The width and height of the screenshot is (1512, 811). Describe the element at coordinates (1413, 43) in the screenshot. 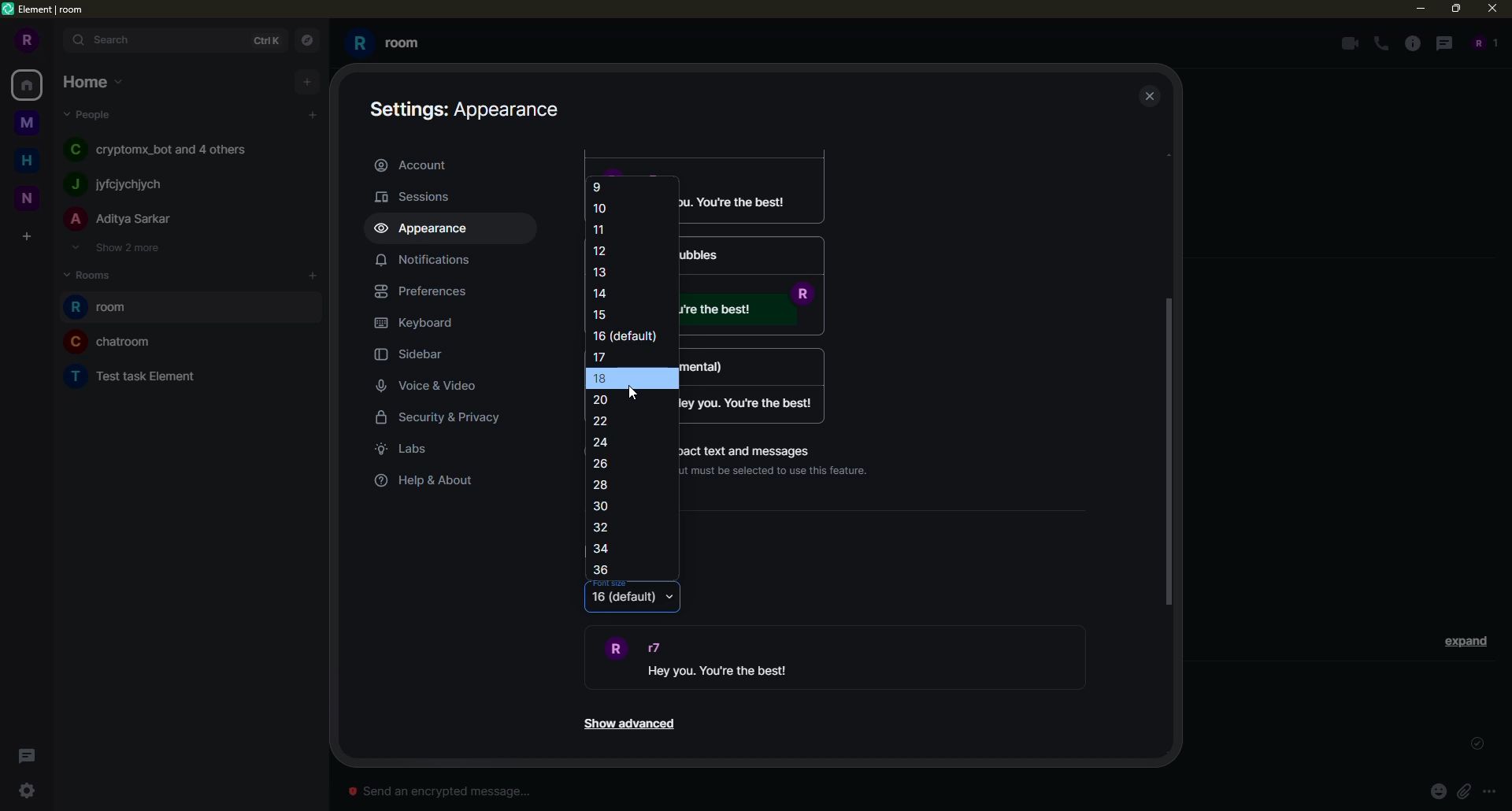

I see `info` at that location.